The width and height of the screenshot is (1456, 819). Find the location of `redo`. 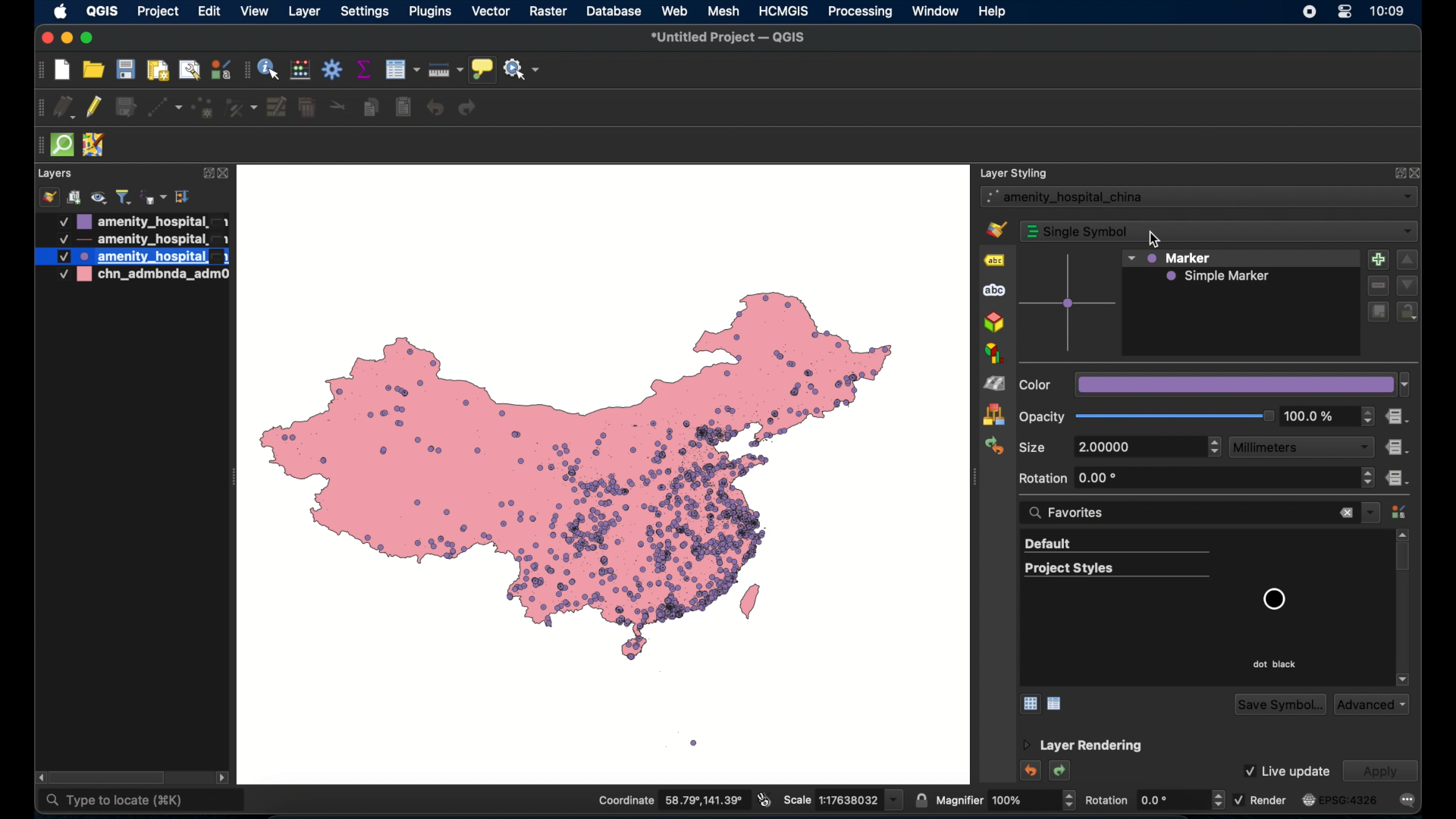

redo is located at coordinates (1062, 772).